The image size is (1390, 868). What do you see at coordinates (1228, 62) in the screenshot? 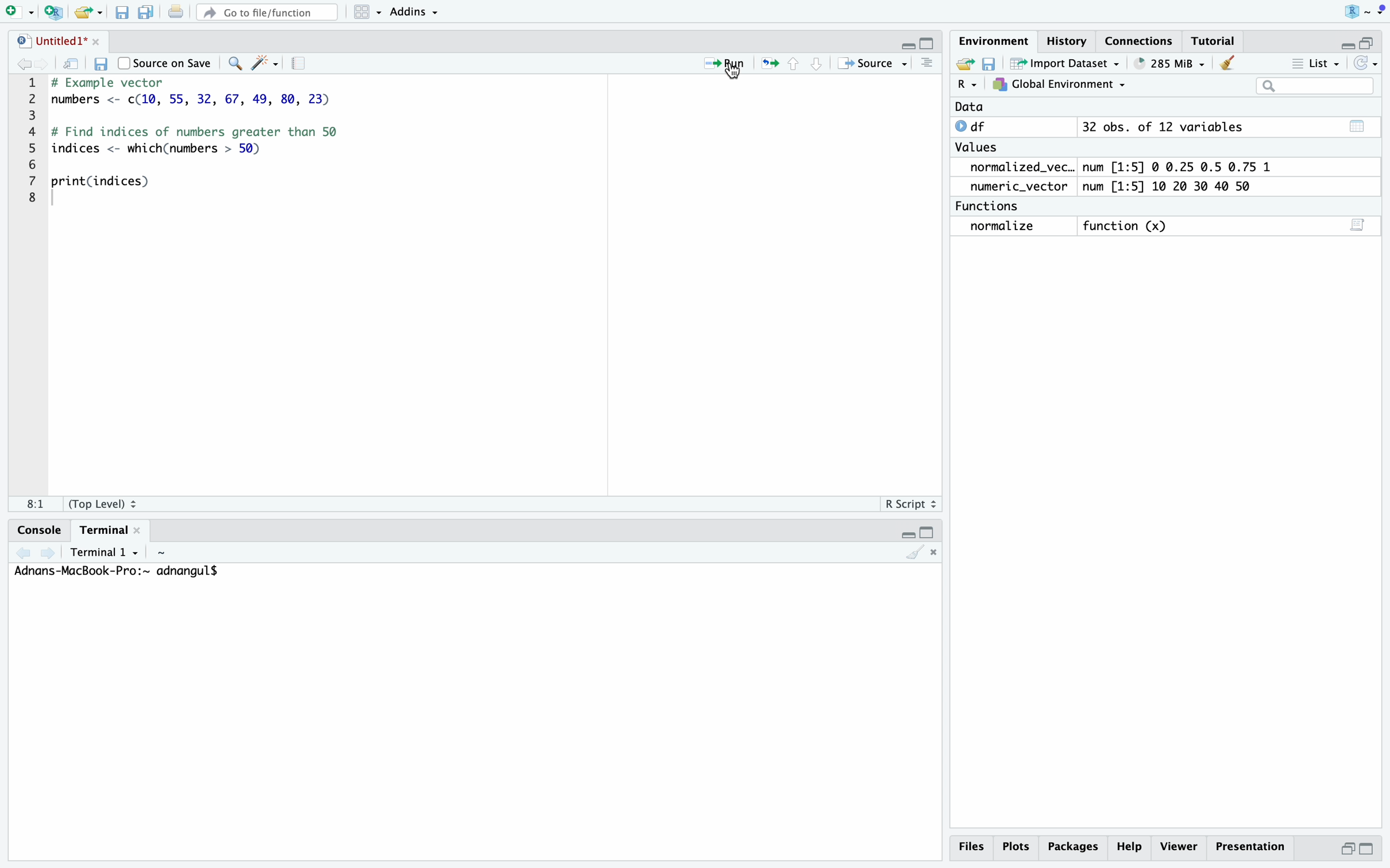
I see `CLEAN UP` at bounding box center [1228, 62].